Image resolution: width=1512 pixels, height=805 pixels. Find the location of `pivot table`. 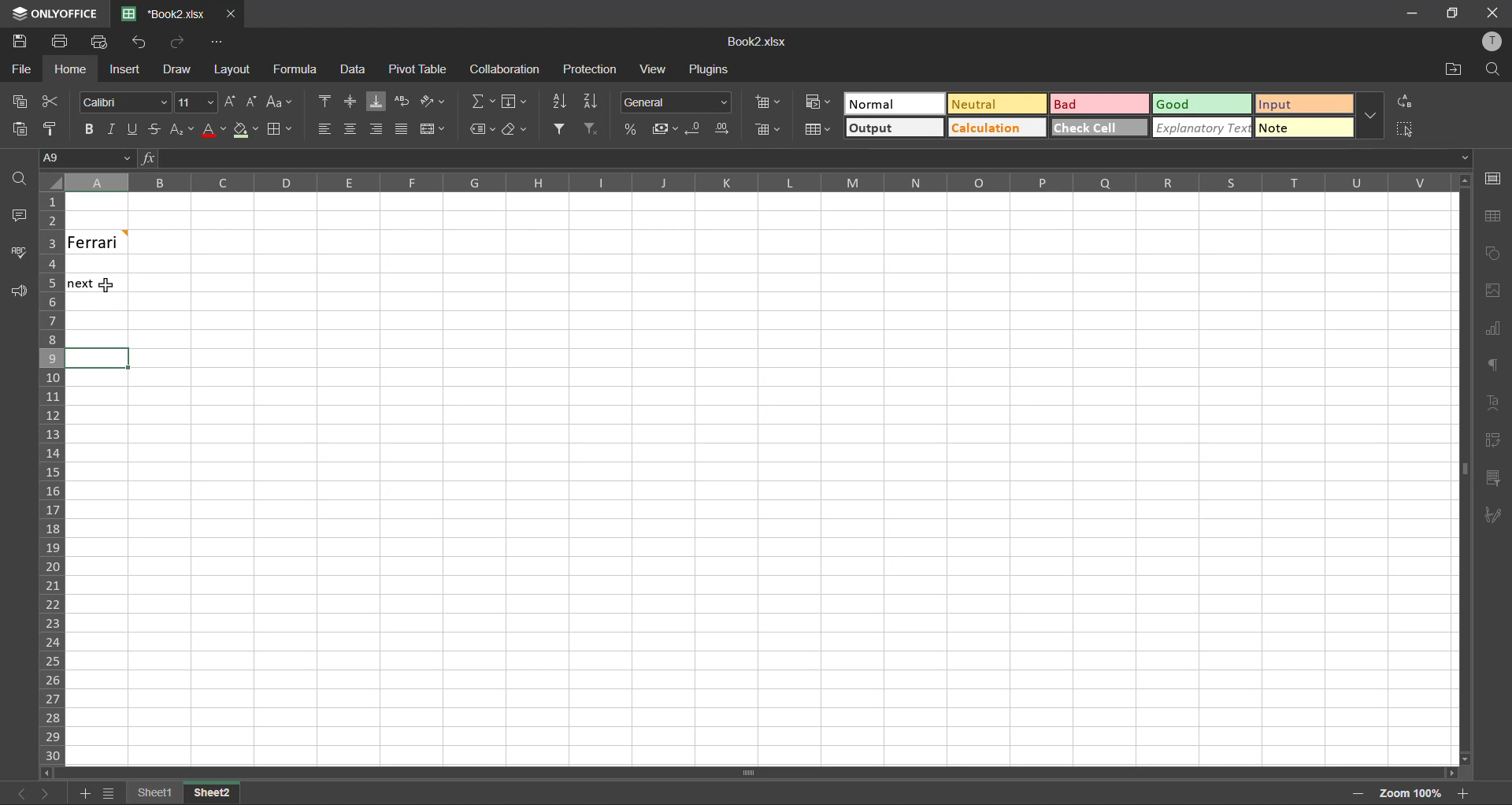

pivot table is located at coordinates (1493, 440).